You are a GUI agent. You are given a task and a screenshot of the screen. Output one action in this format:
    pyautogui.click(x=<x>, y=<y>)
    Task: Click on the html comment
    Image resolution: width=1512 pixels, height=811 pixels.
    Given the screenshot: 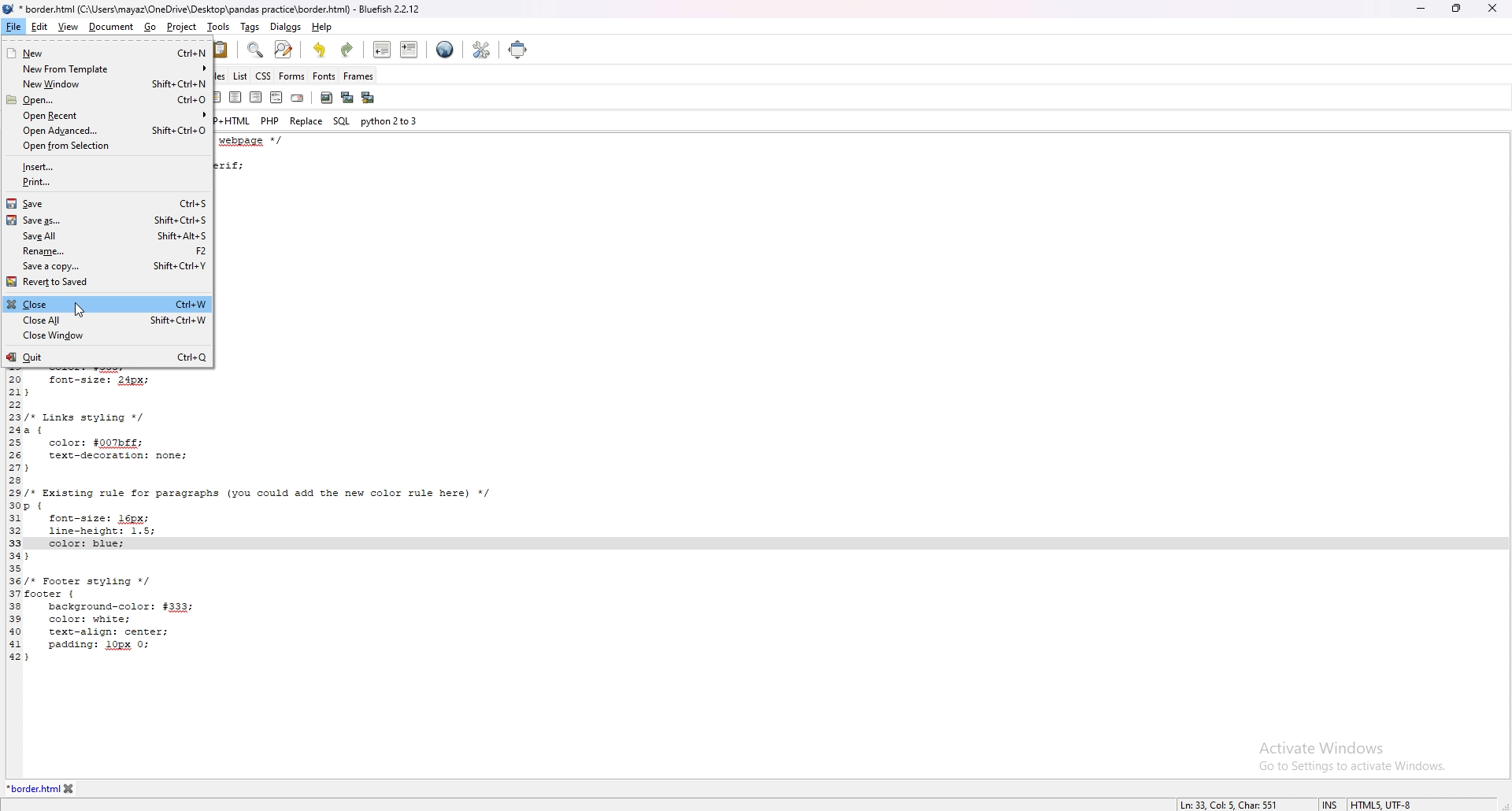 What is the action you would take?
    pyautogui.click(x=277, y=98)
    